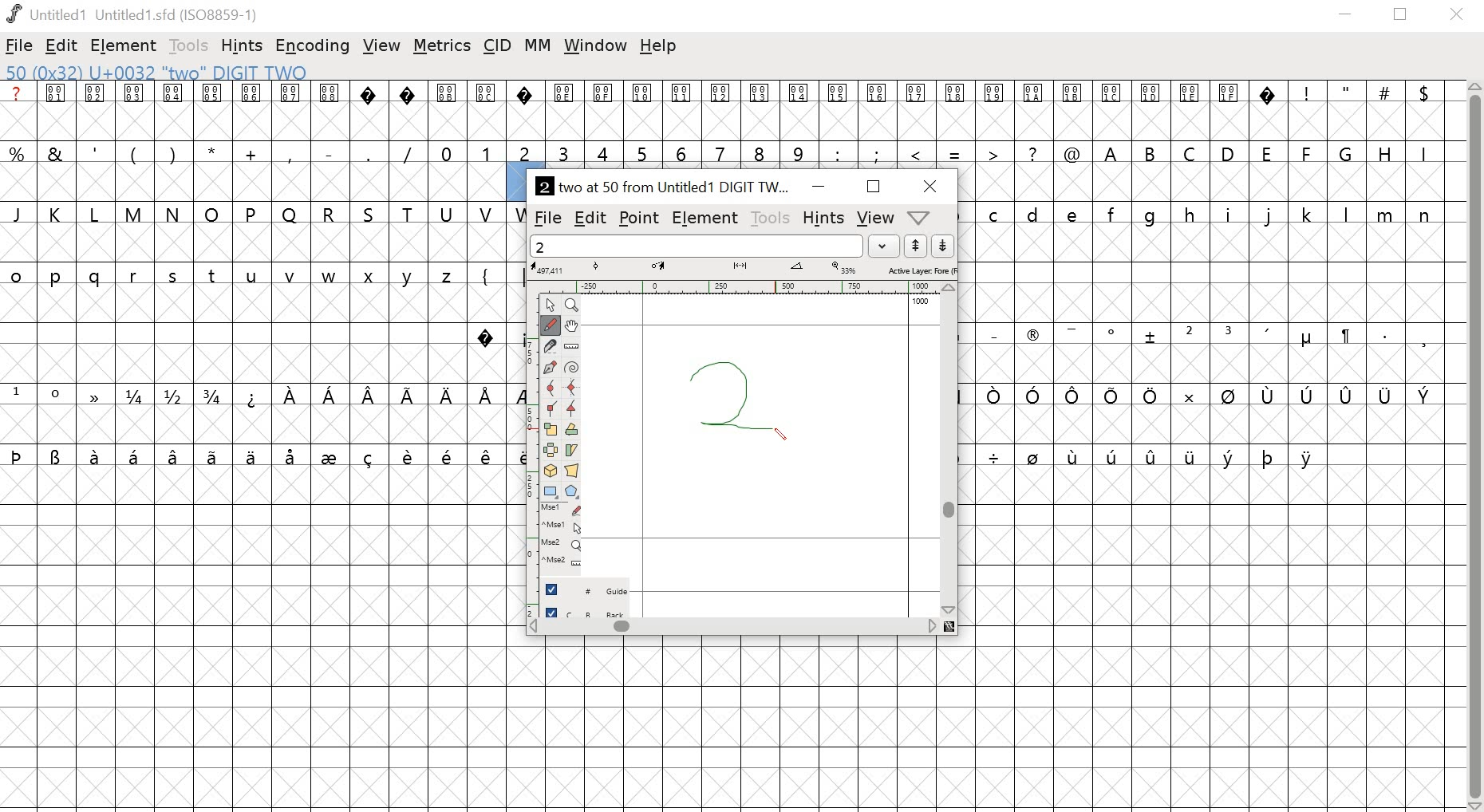 The image size is (1484, 812). What do you see at coordinates (772, 217) in the screenshot?
I see `tools` at bounding box center [772, 217].